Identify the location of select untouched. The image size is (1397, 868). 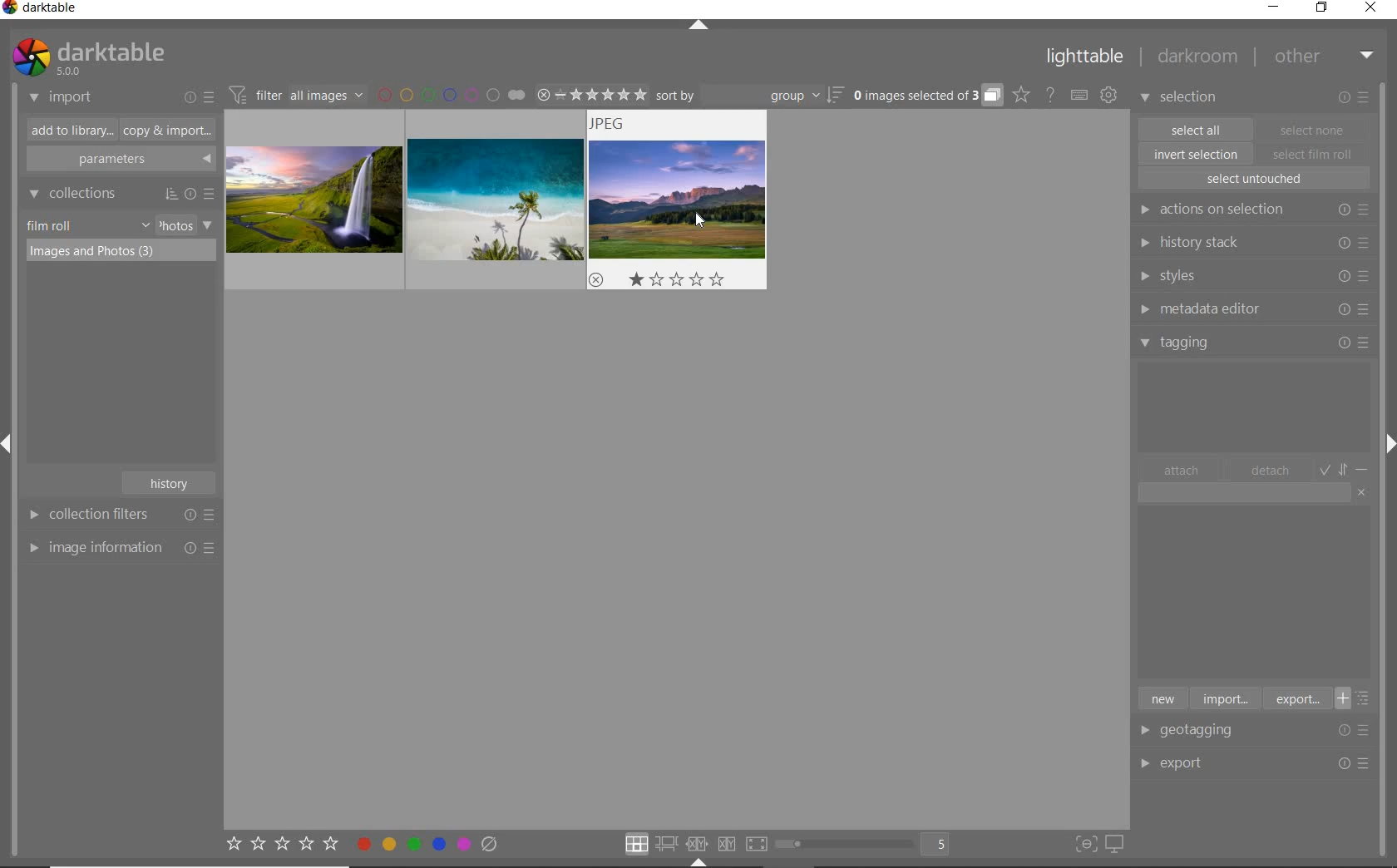
(1253, 179).